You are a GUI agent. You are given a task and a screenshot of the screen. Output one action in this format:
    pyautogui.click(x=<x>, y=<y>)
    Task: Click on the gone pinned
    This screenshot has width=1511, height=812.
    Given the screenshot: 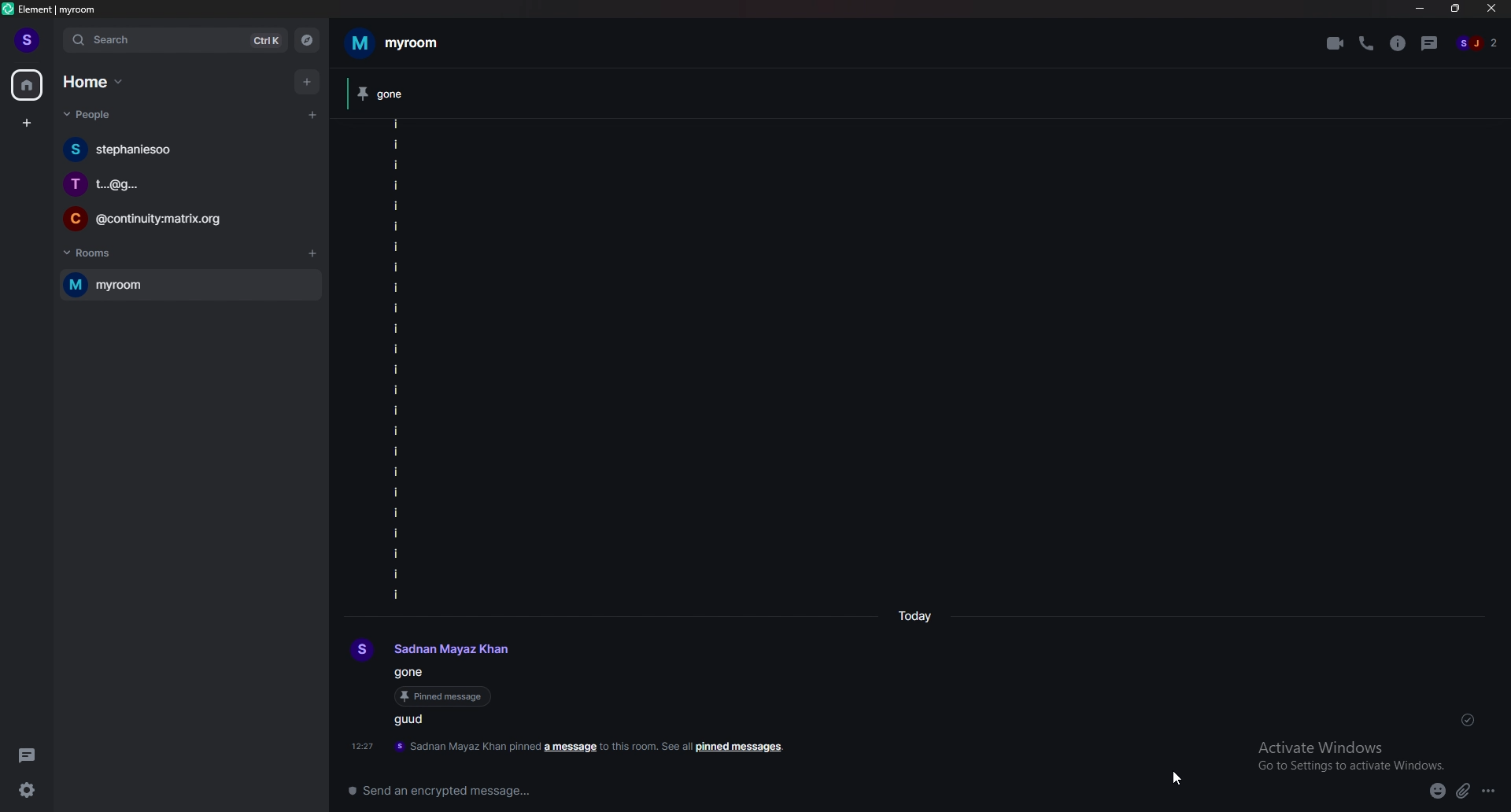 What is the action you would take?
    pyautogui.click(x=409, y=93)
    